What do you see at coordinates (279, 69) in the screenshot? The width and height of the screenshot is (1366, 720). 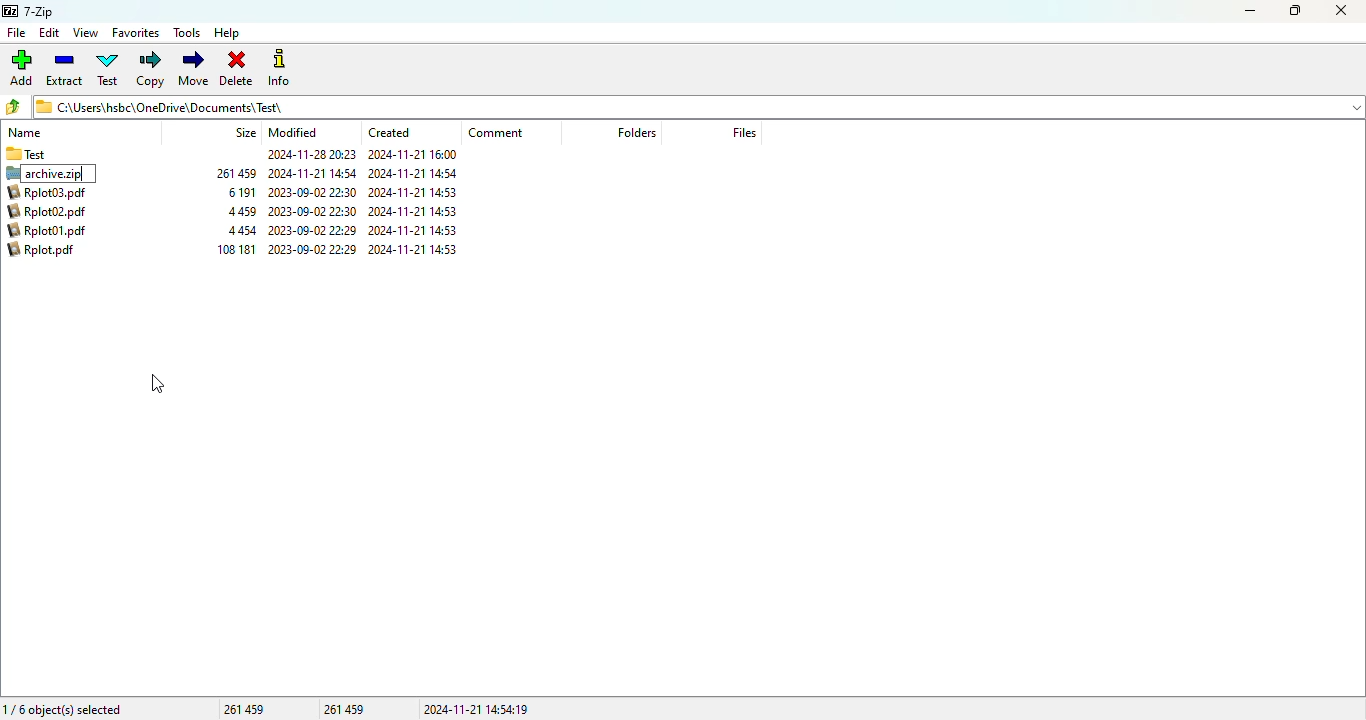 I see `info` at bounding box center [279, 69].